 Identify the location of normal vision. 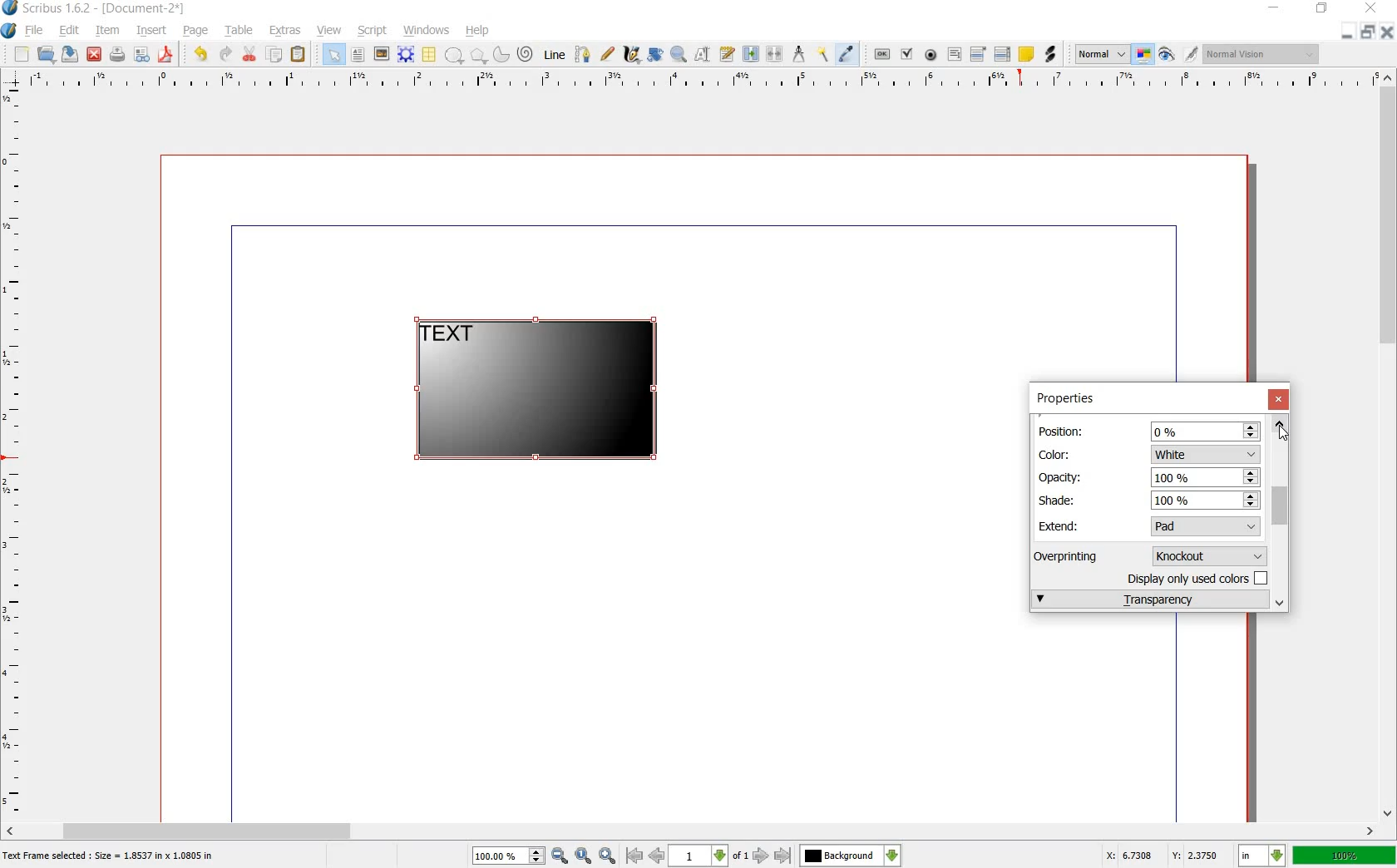
(1264, 53).